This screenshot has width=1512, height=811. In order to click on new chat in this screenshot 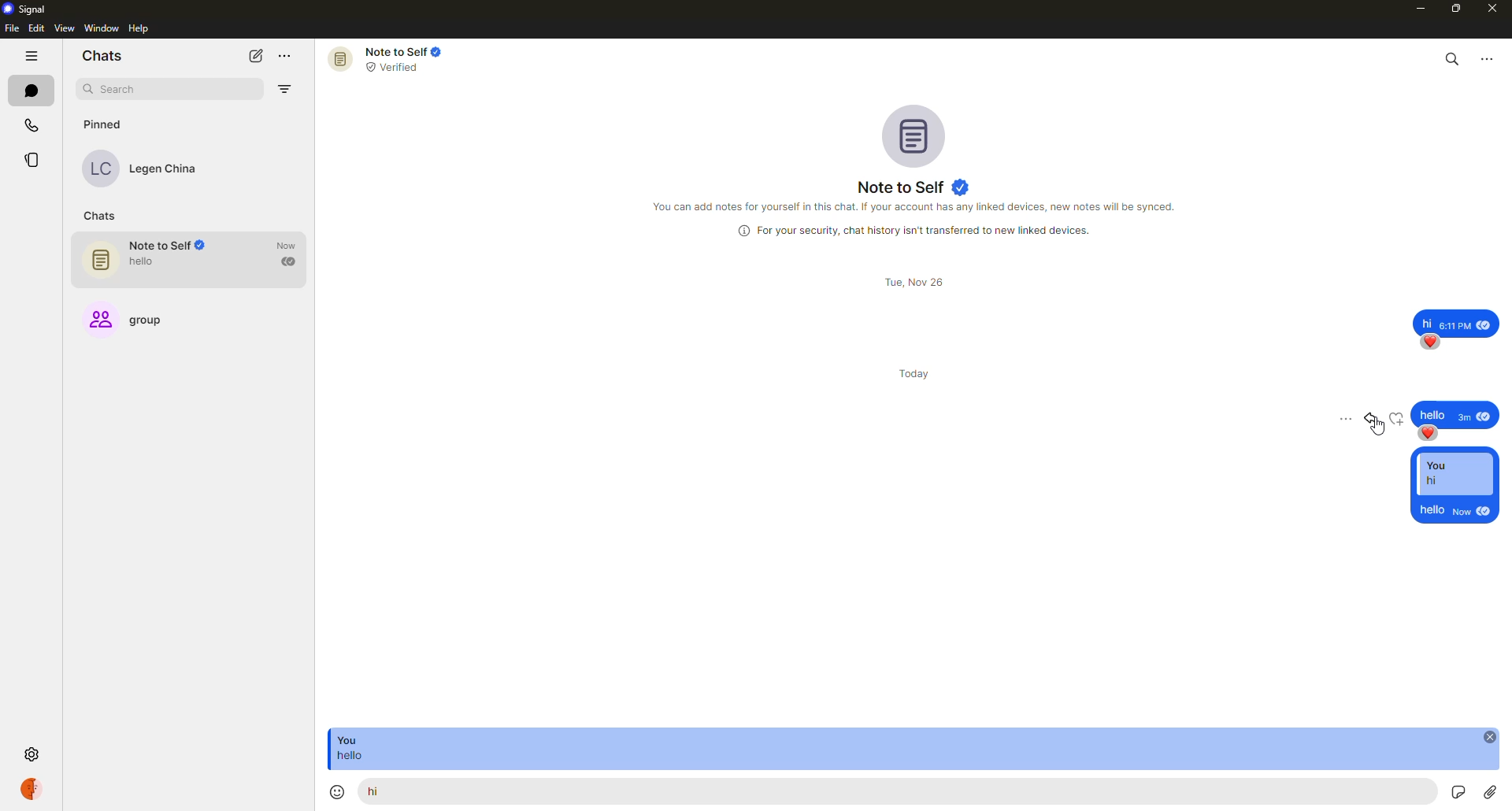, I will do `click(256, 55)`.